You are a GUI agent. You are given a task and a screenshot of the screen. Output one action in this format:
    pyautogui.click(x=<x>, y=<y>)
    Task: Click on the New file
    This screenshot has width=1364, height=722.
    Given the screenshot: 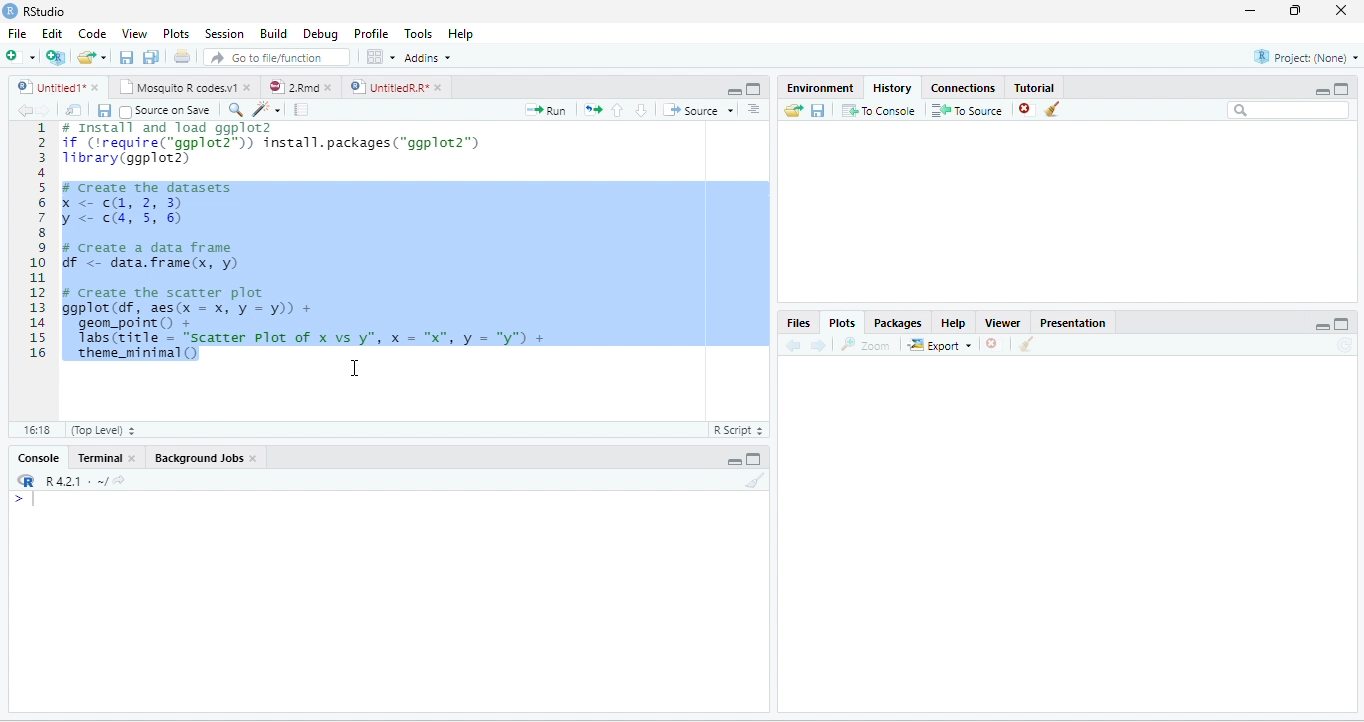 What is the action you would take?
    pyautogui.click(x=21, y=56)
    